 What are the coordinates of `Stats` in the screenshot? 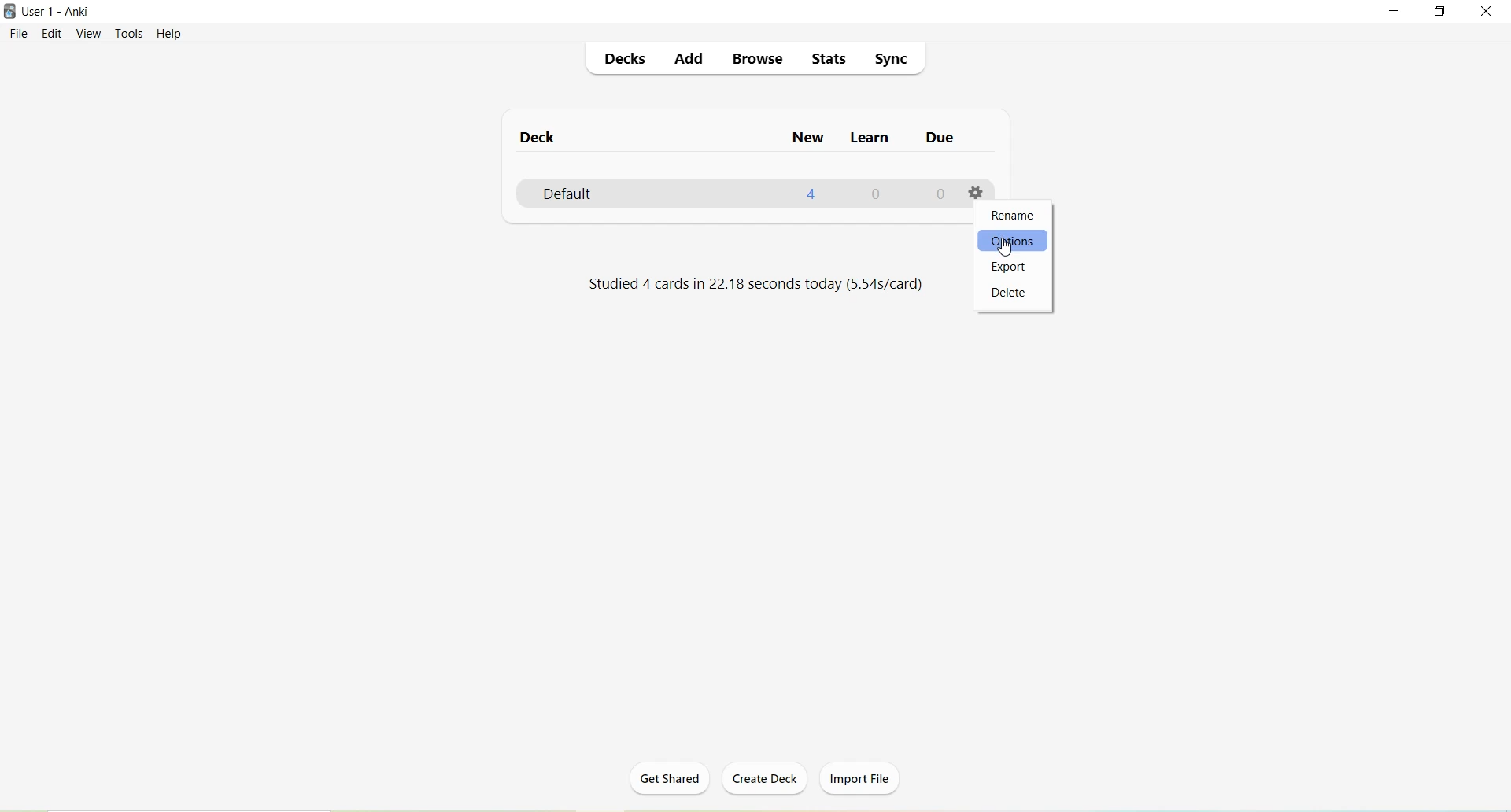 It's located at (831, 61).